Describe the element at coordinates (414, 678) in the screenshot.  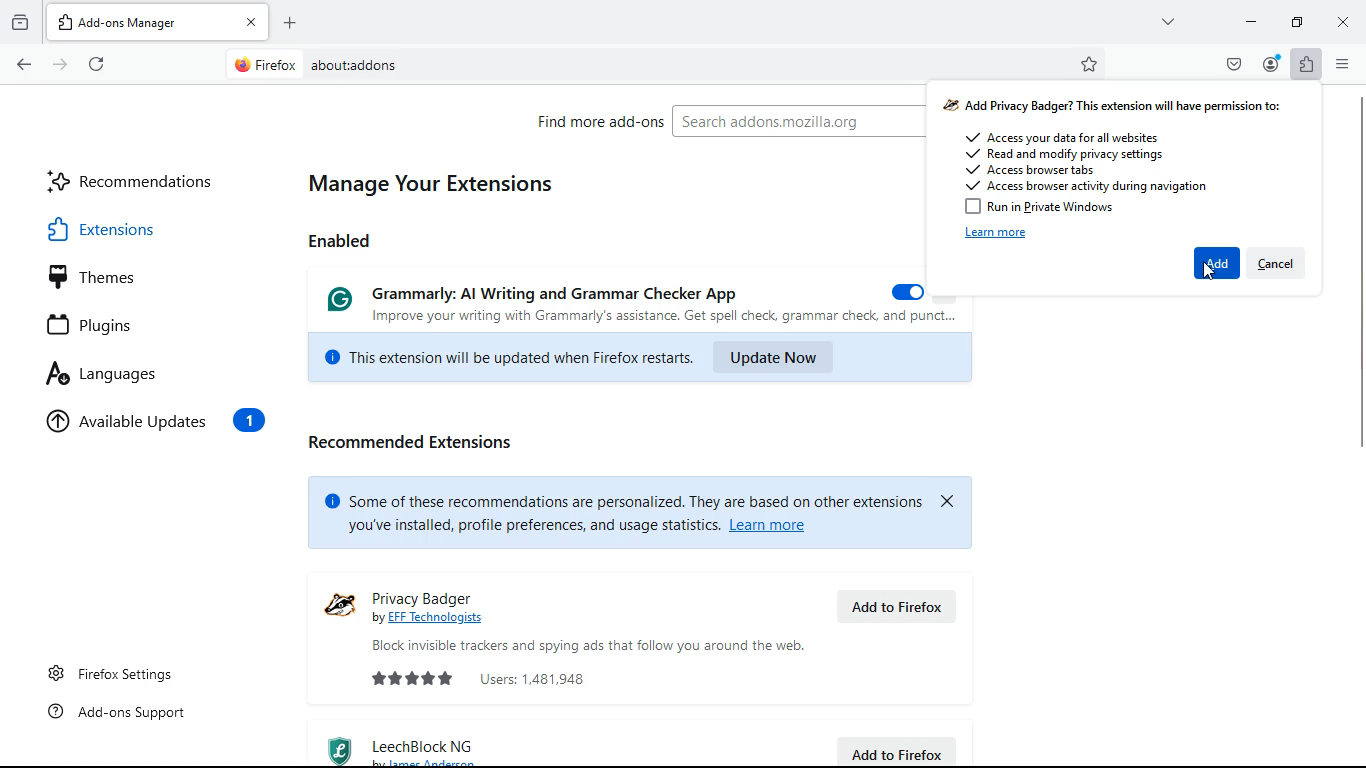
I see `rating` at that location.